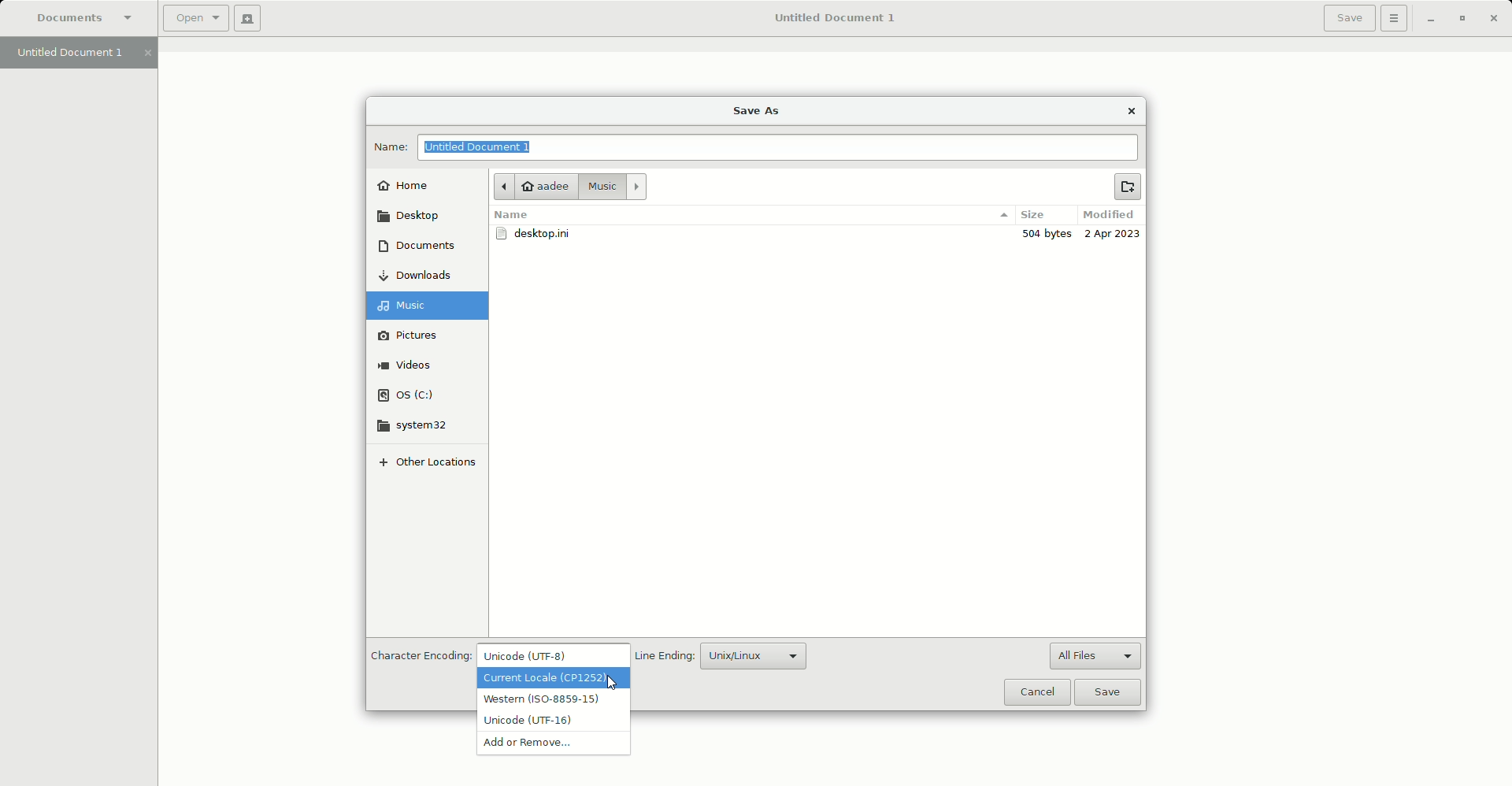 The height and width of the screenshot is (786, 1512). Describe the element at coordinates (421, 462) in the screenshot. I see `Other locations` at that location.